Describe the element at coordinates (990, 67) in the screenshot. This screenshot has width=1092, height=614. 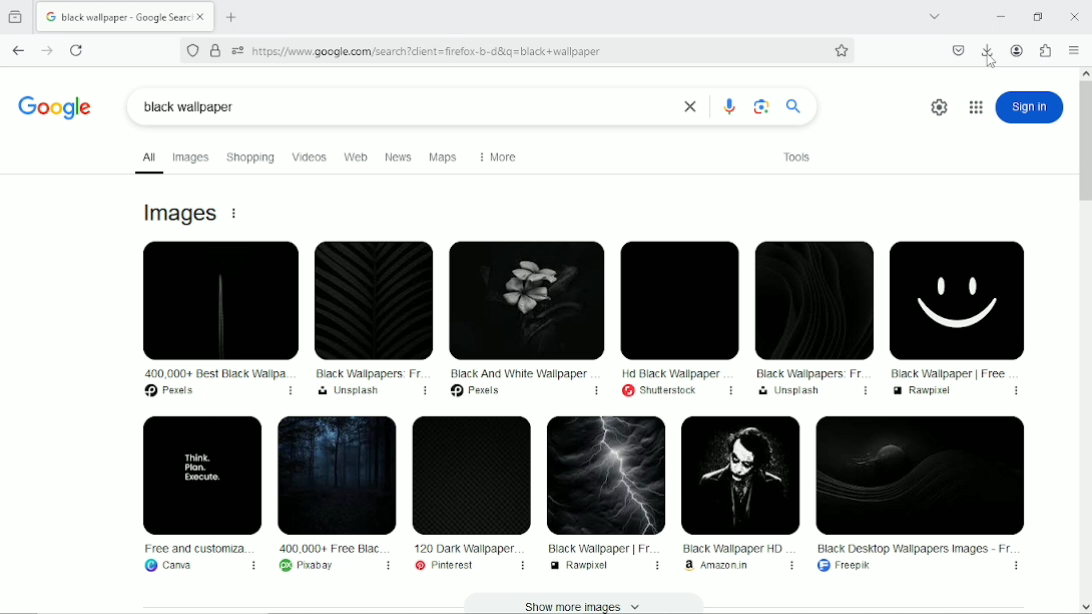
I see `Cursor` at that location.